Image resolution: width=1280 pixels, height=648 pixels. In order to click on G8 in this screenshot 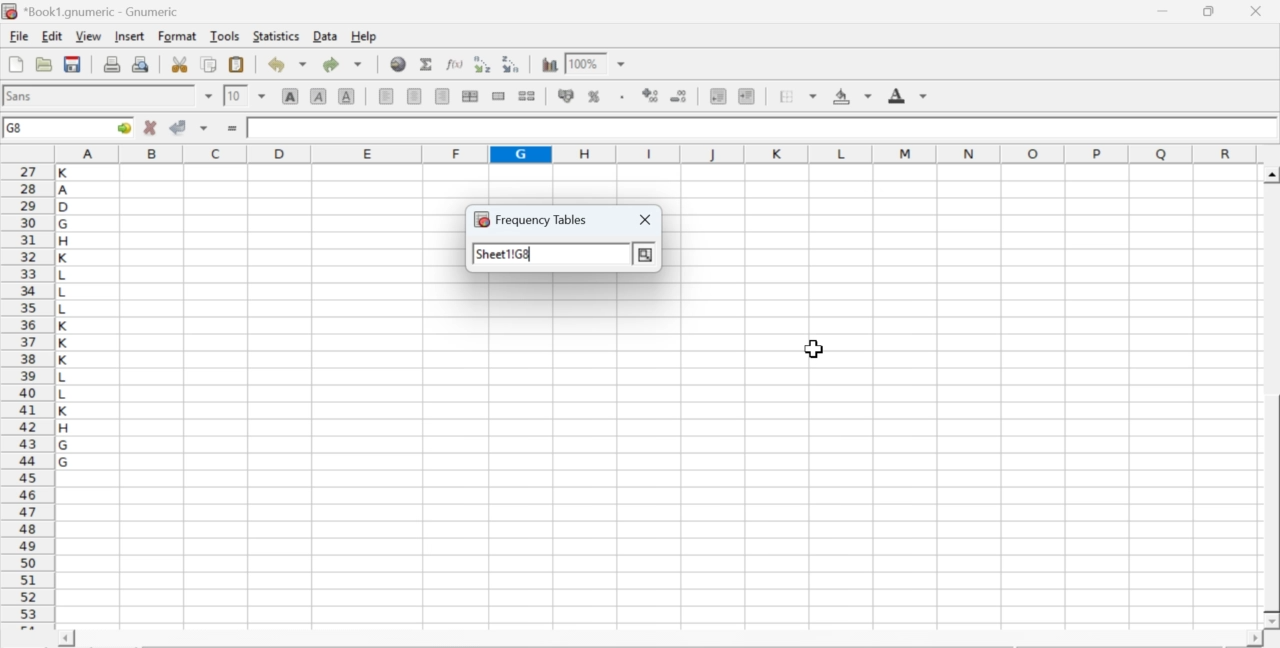, I will do `click(17, 128)`.